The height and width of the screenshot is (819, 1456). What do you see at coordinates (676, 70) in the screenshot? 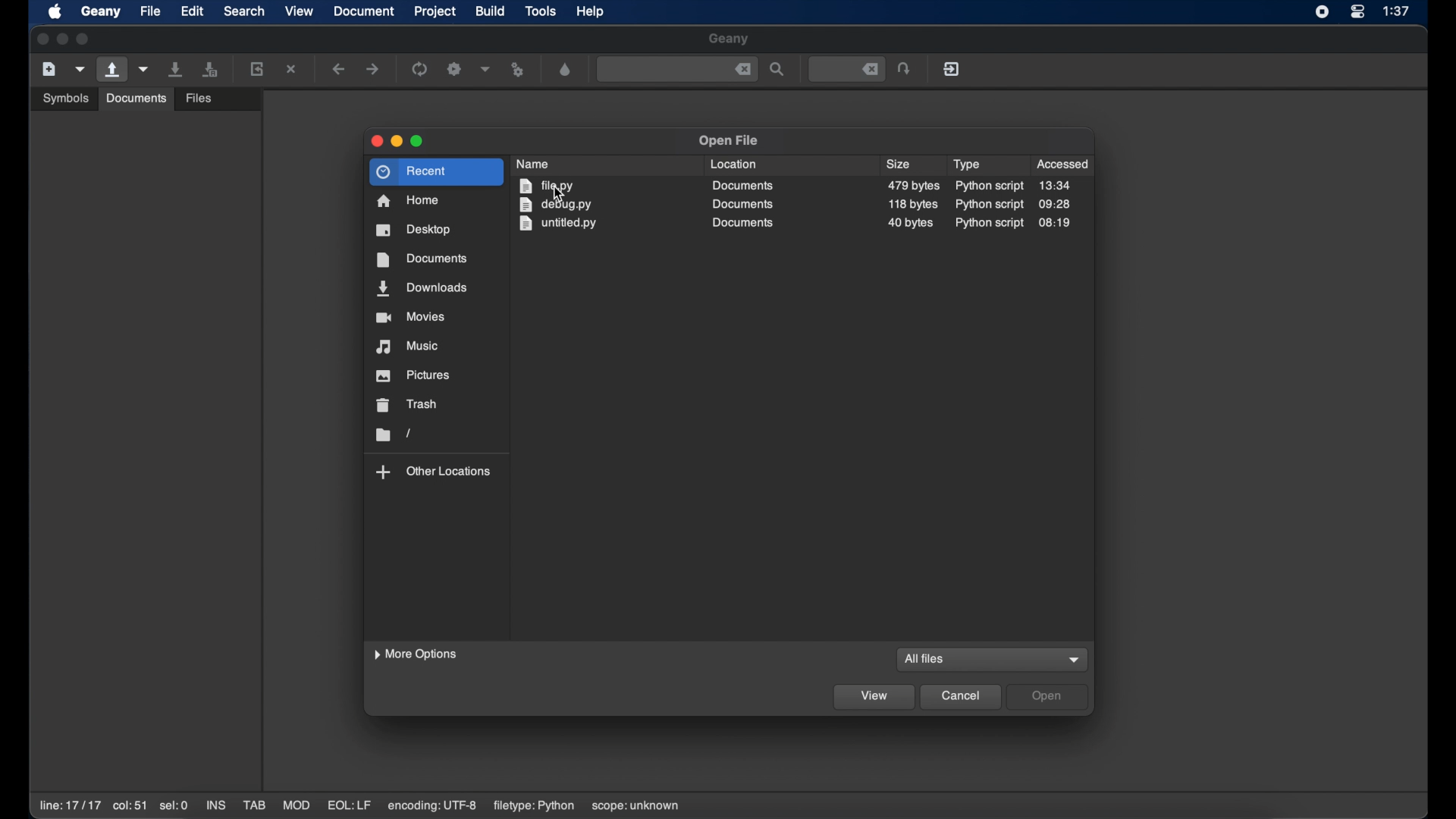
I see `find the entered text in the current file` at bounding box center [676, 70].